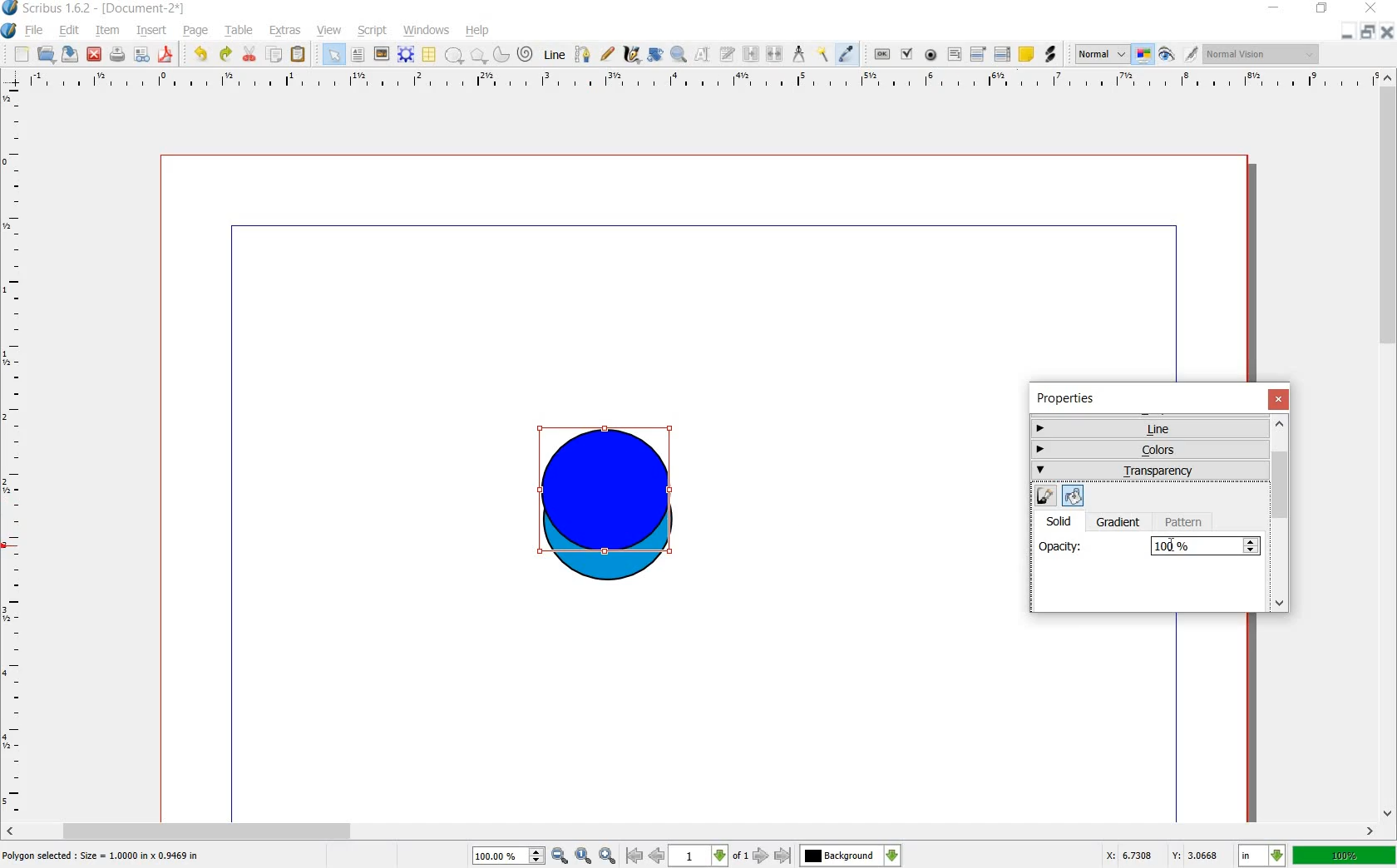 The image size is (1397, 868). What do you see at coordinates (477, 31) in the screenshot?
I see `help` at bounding box center [477, 31].